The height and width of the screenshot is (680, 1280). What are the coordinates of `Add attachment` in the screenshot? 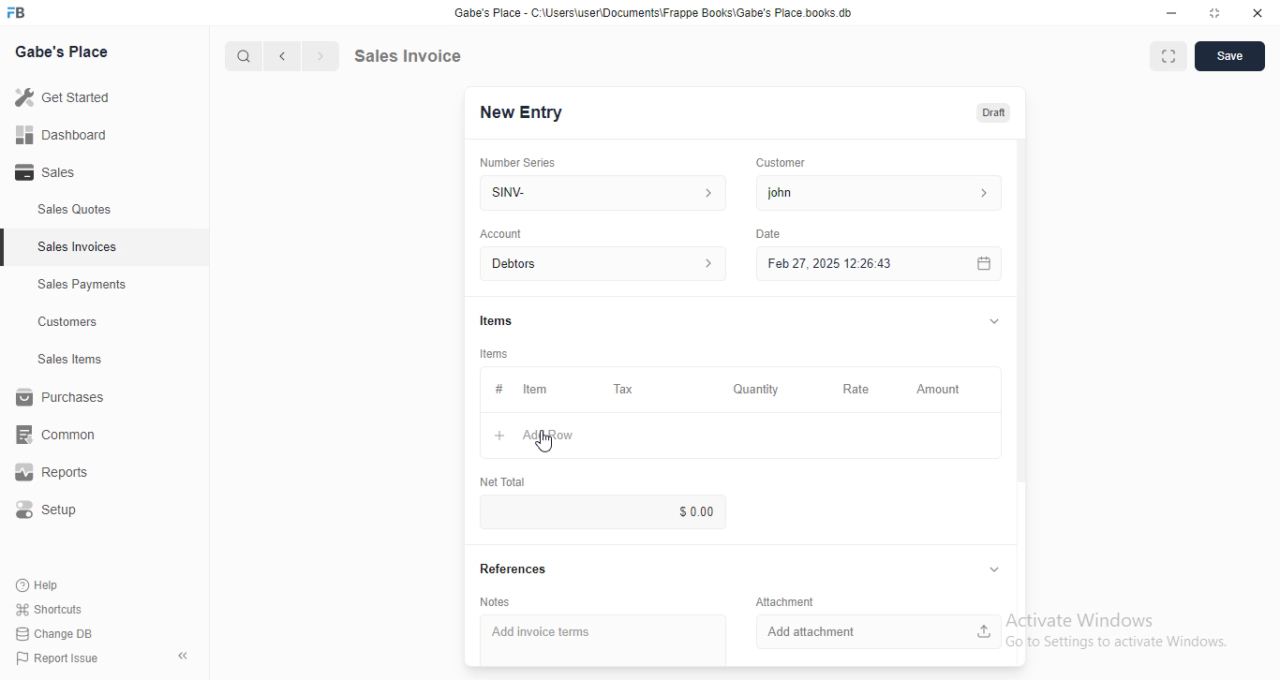 It's located at (813, 631).